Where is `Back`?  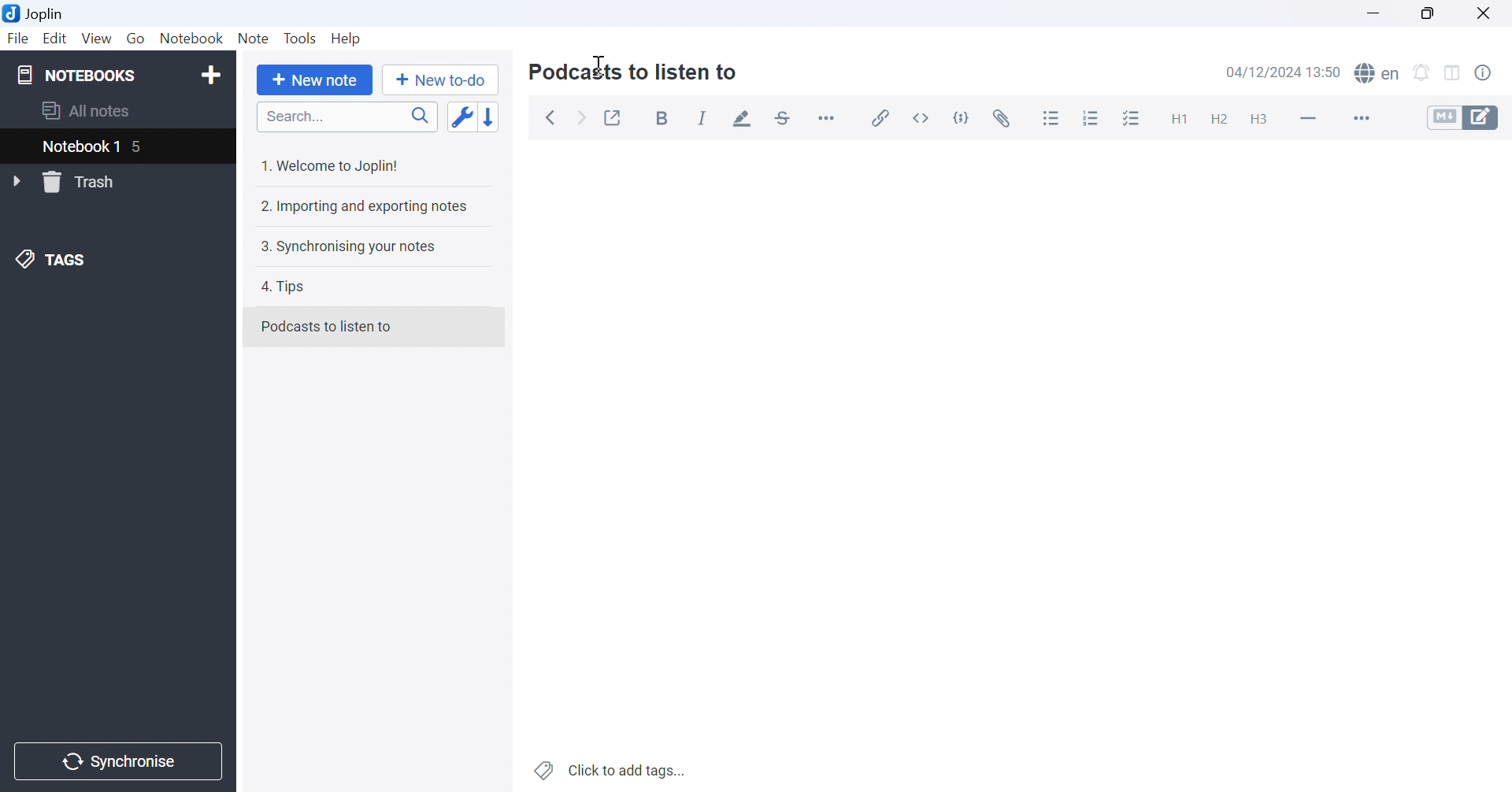 Back is located at coordinates (552, 119).